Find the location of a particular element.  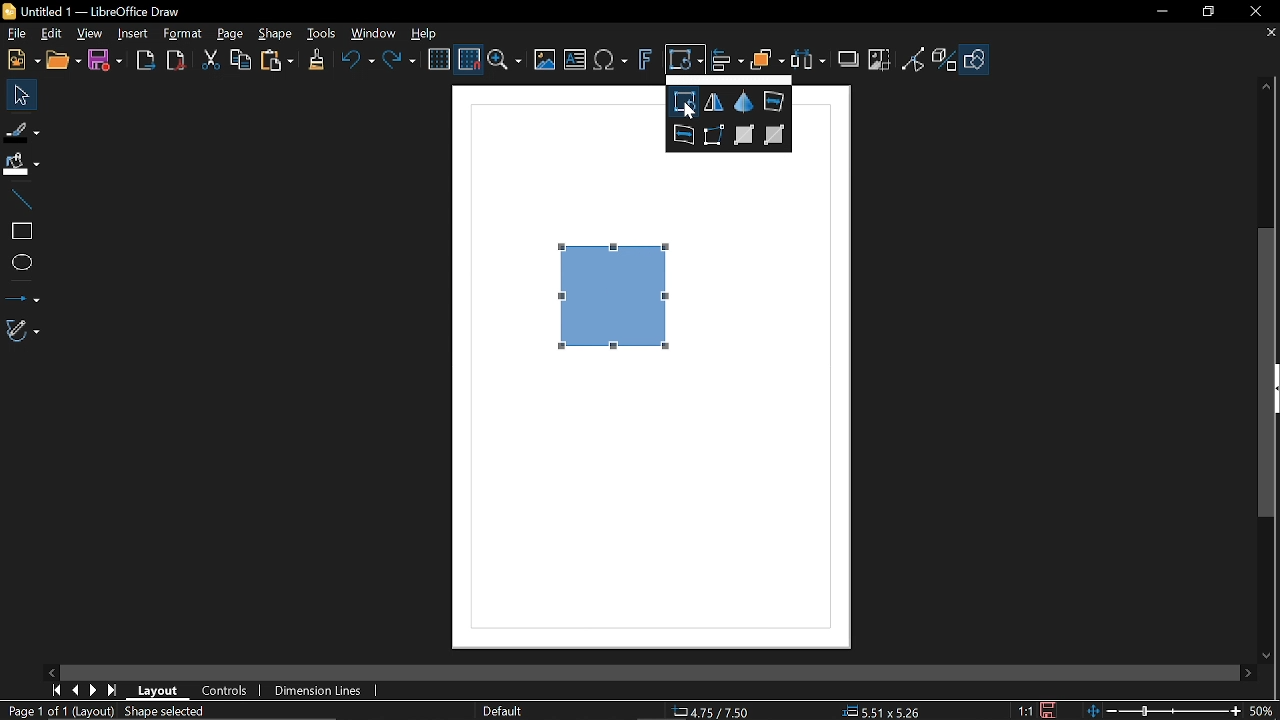

Move right is located at coordinates (1245, 673).